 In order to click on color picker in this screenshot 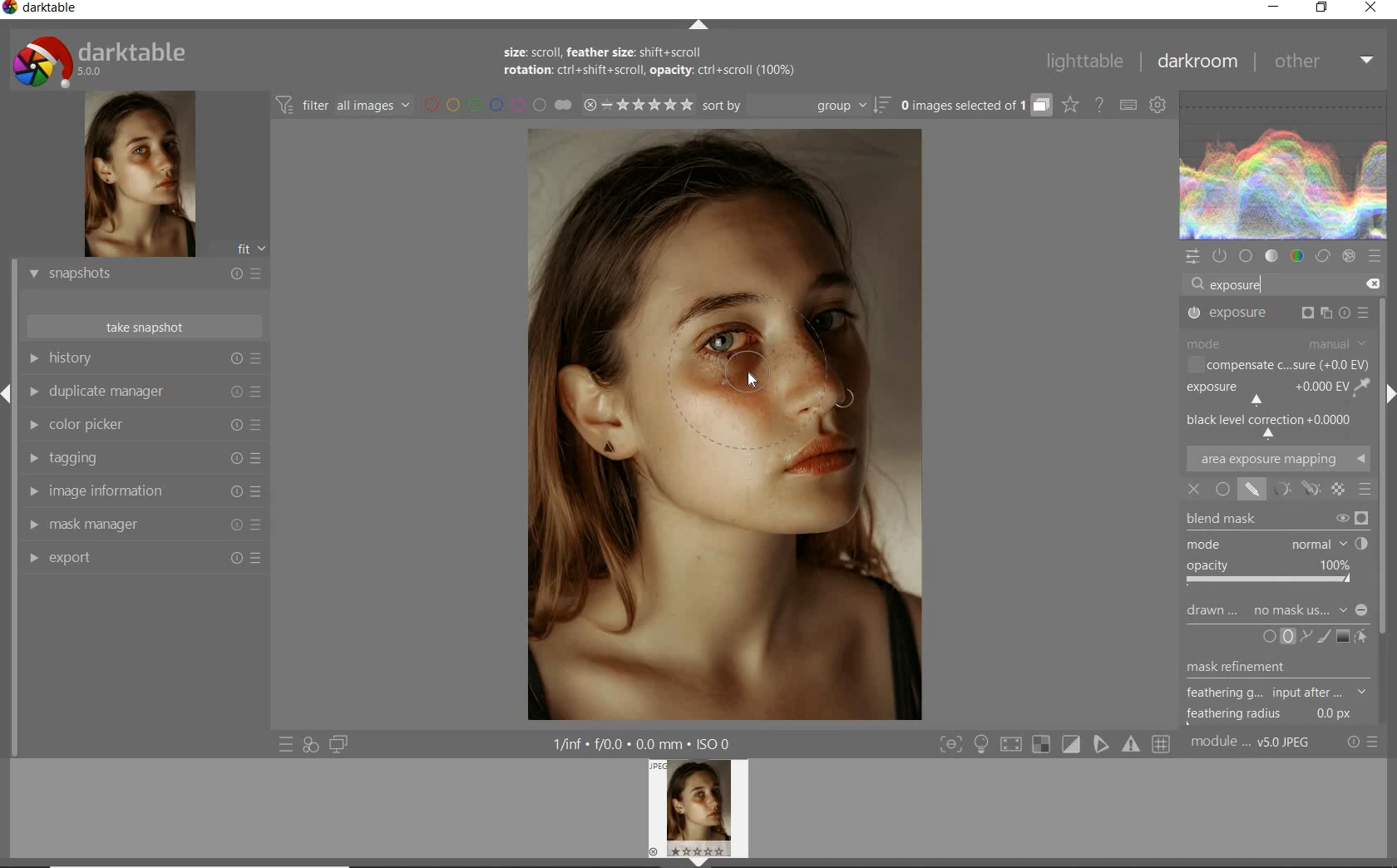, I will do `click(143, 426)`.